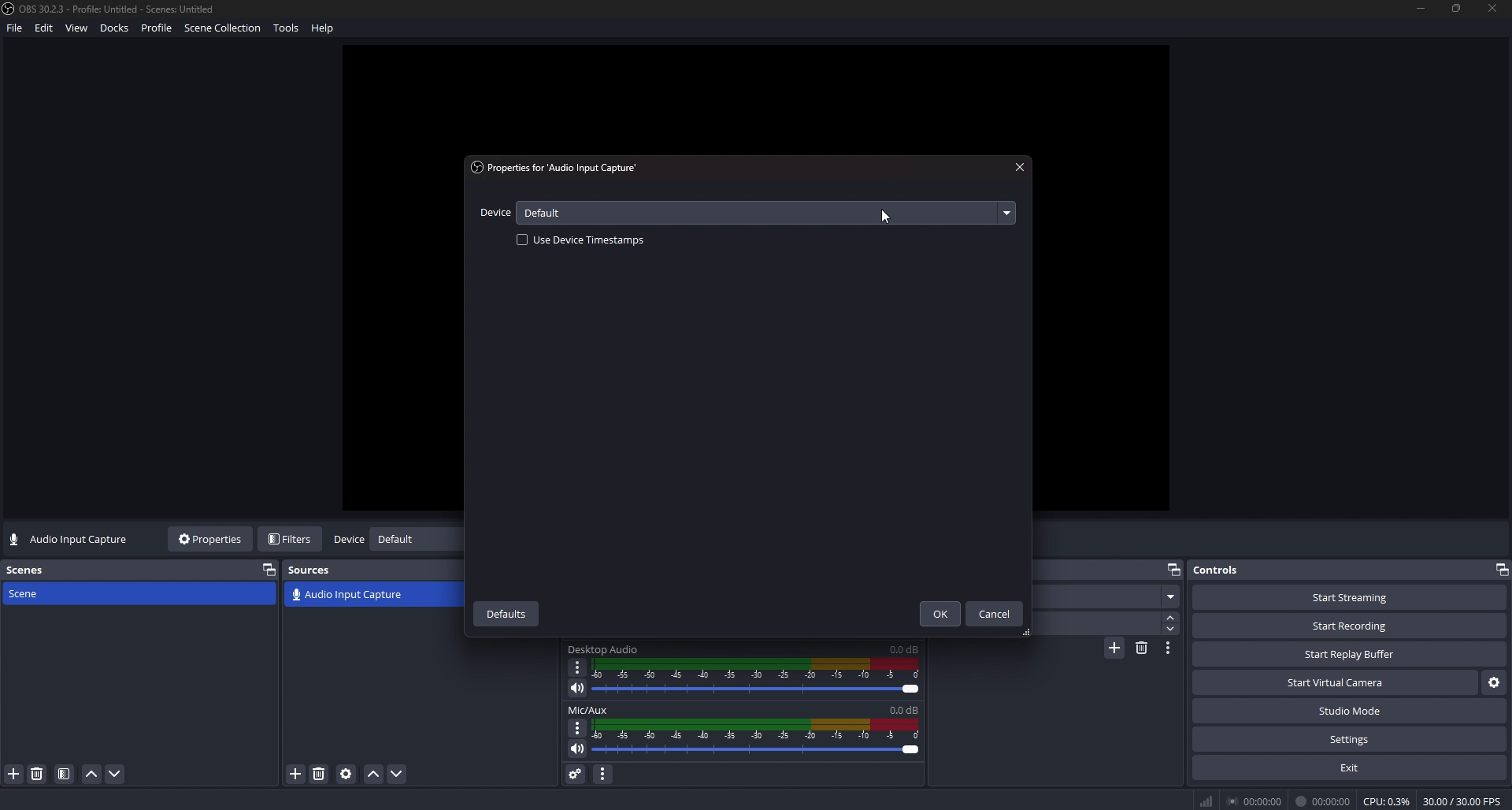 The height and width of the screenshot is (810, 1512). I want to click on View, so click(78, 28).